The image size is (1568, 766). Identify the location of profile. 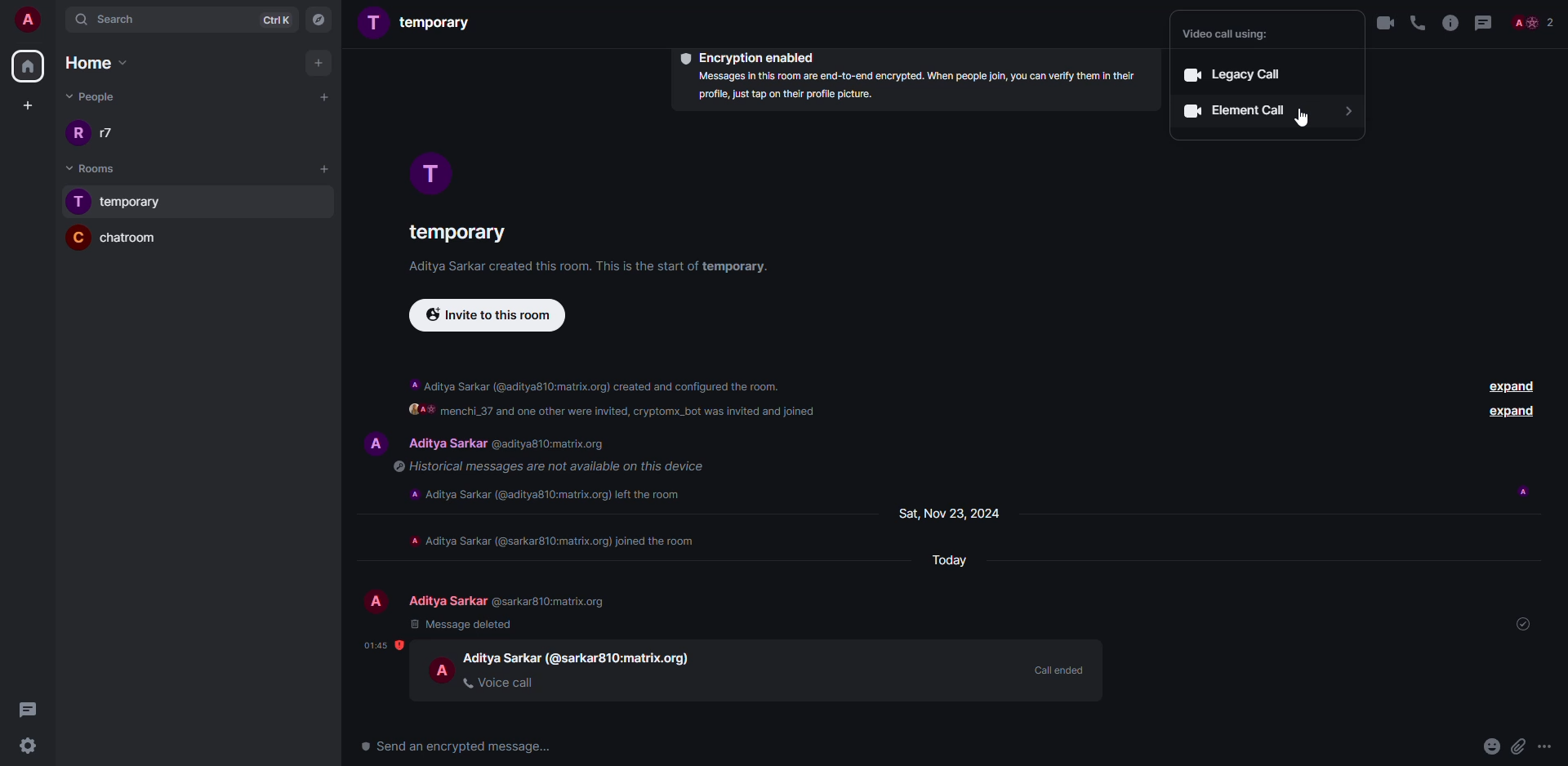
(370, 601).